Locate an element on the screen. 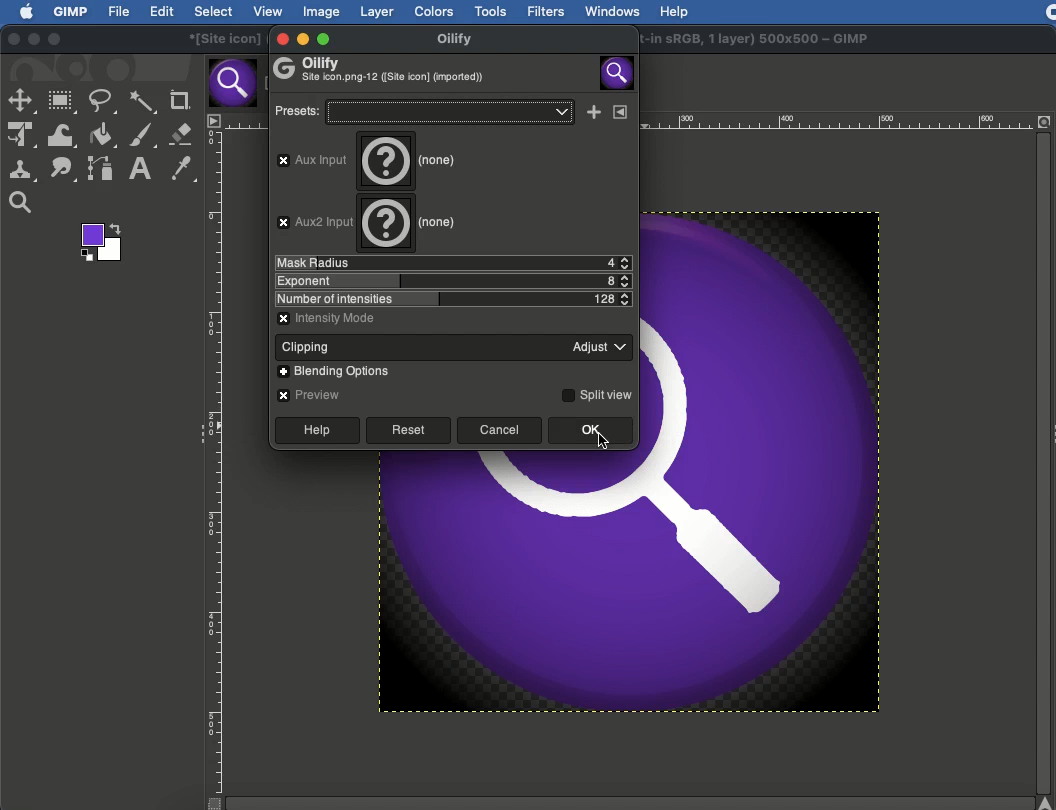 The image size is (1056, 810). Edit is located at coordinates (163, 12).